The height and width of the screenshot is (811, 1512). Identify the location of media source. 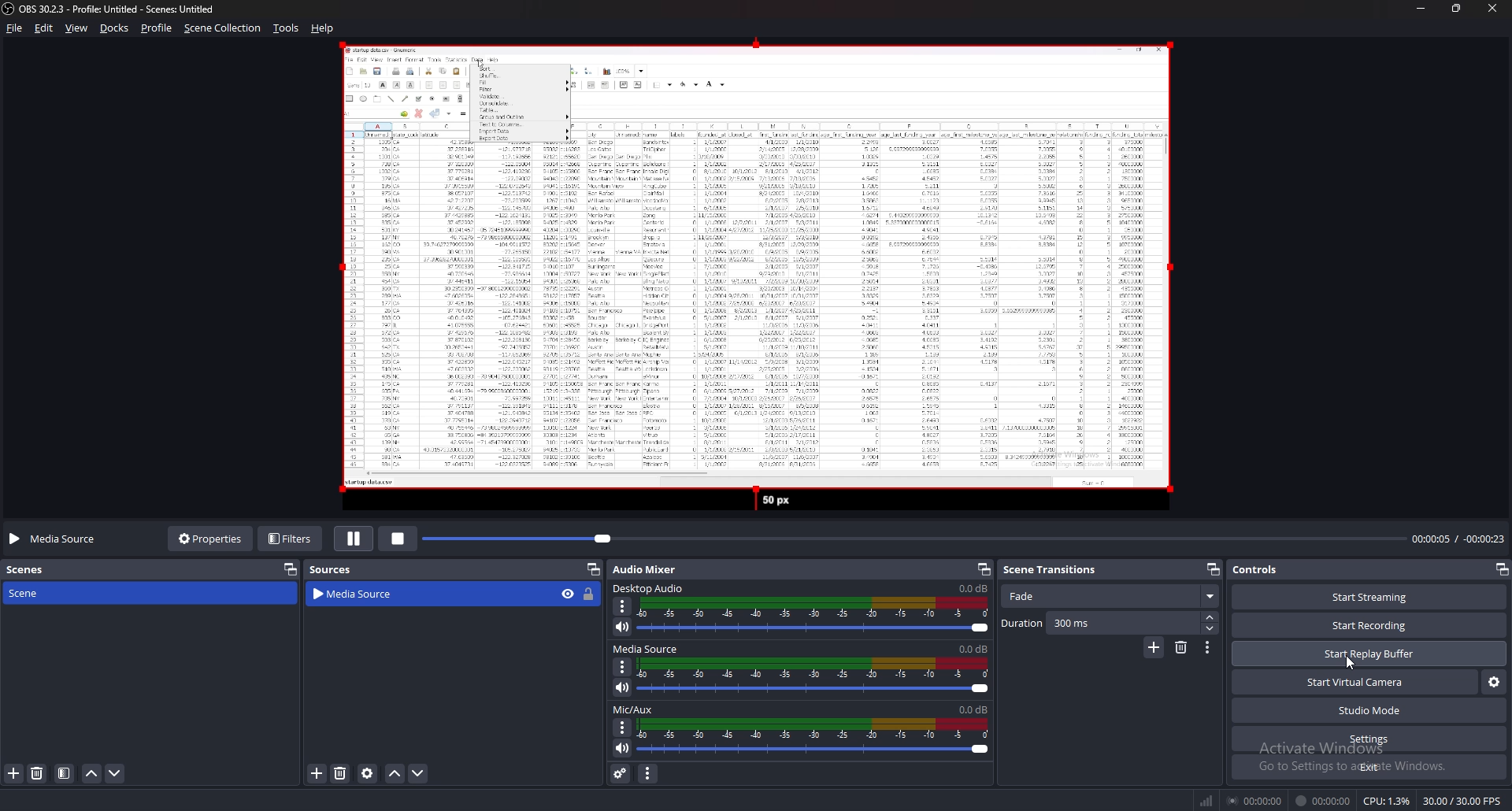
(413, 594).